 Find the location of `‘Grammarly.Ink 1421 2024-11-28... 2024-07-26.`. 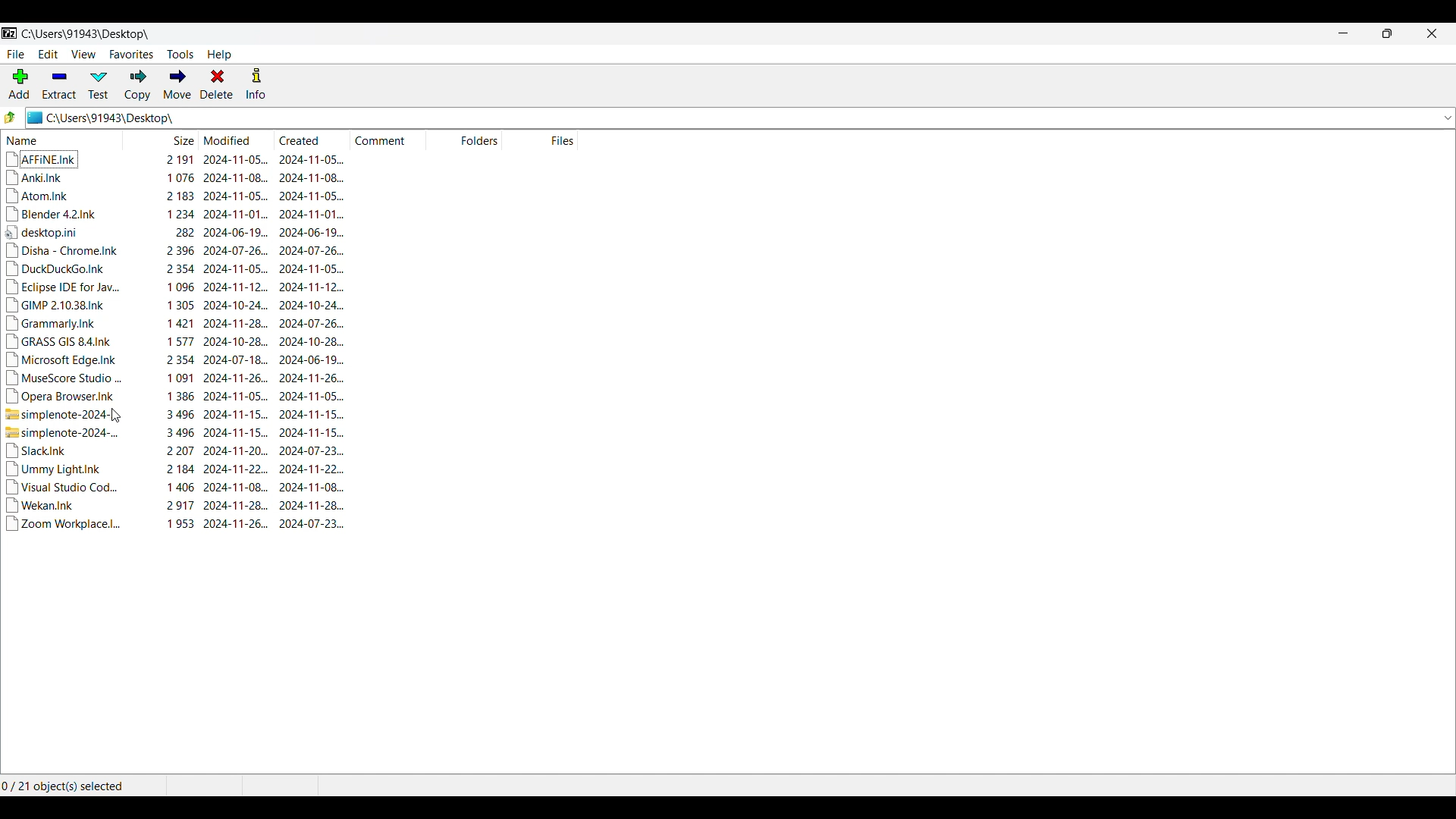

‘Grammarly.Ink 1421 2024-11-28... 2024-07-26. is located at coordinates (174, 323).